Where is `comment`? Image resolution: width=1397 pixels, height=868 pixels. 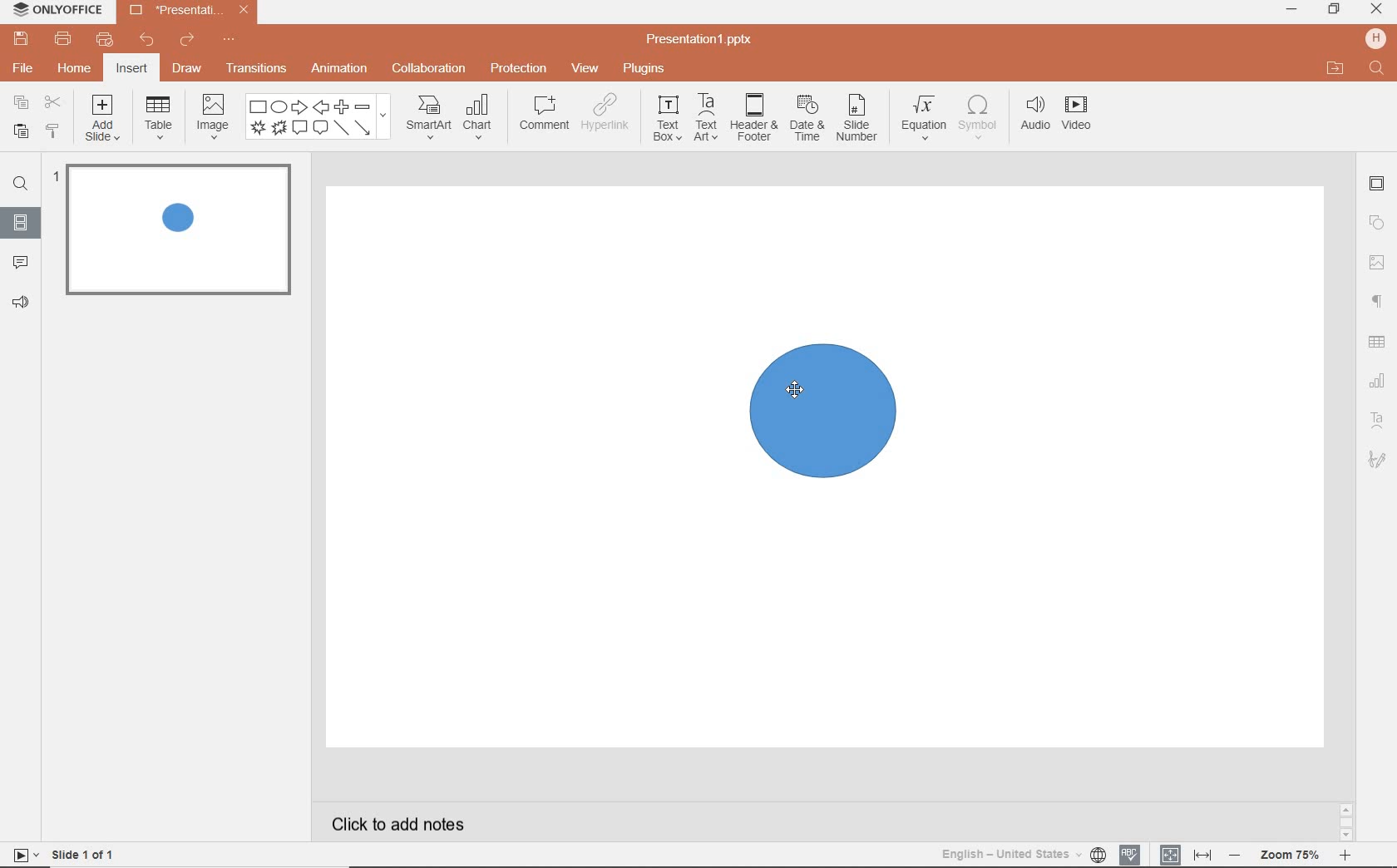 comment is located at coordinates (17, 263).